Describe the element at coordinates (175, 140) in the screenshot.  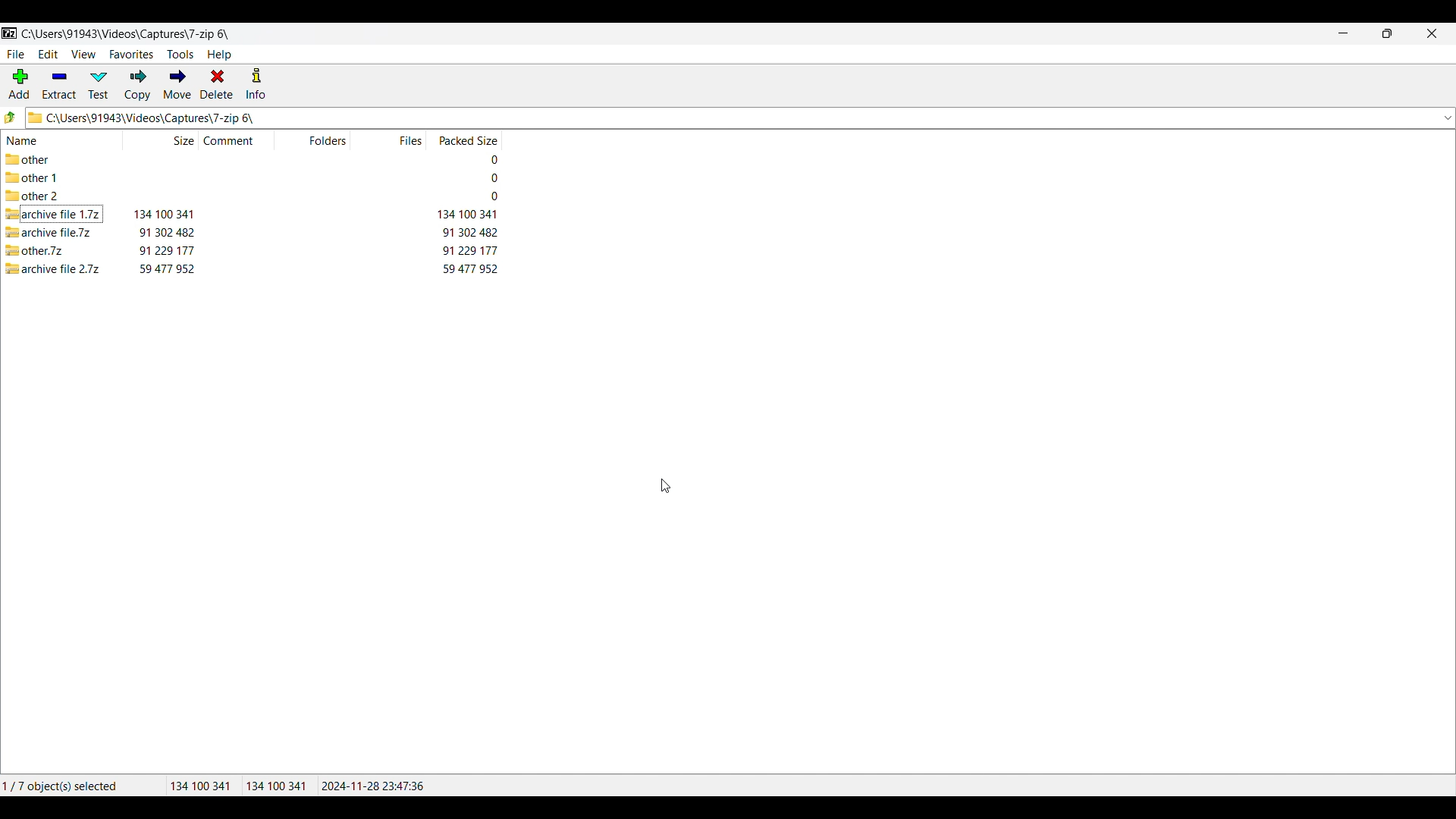
I see `Size column` at that location.